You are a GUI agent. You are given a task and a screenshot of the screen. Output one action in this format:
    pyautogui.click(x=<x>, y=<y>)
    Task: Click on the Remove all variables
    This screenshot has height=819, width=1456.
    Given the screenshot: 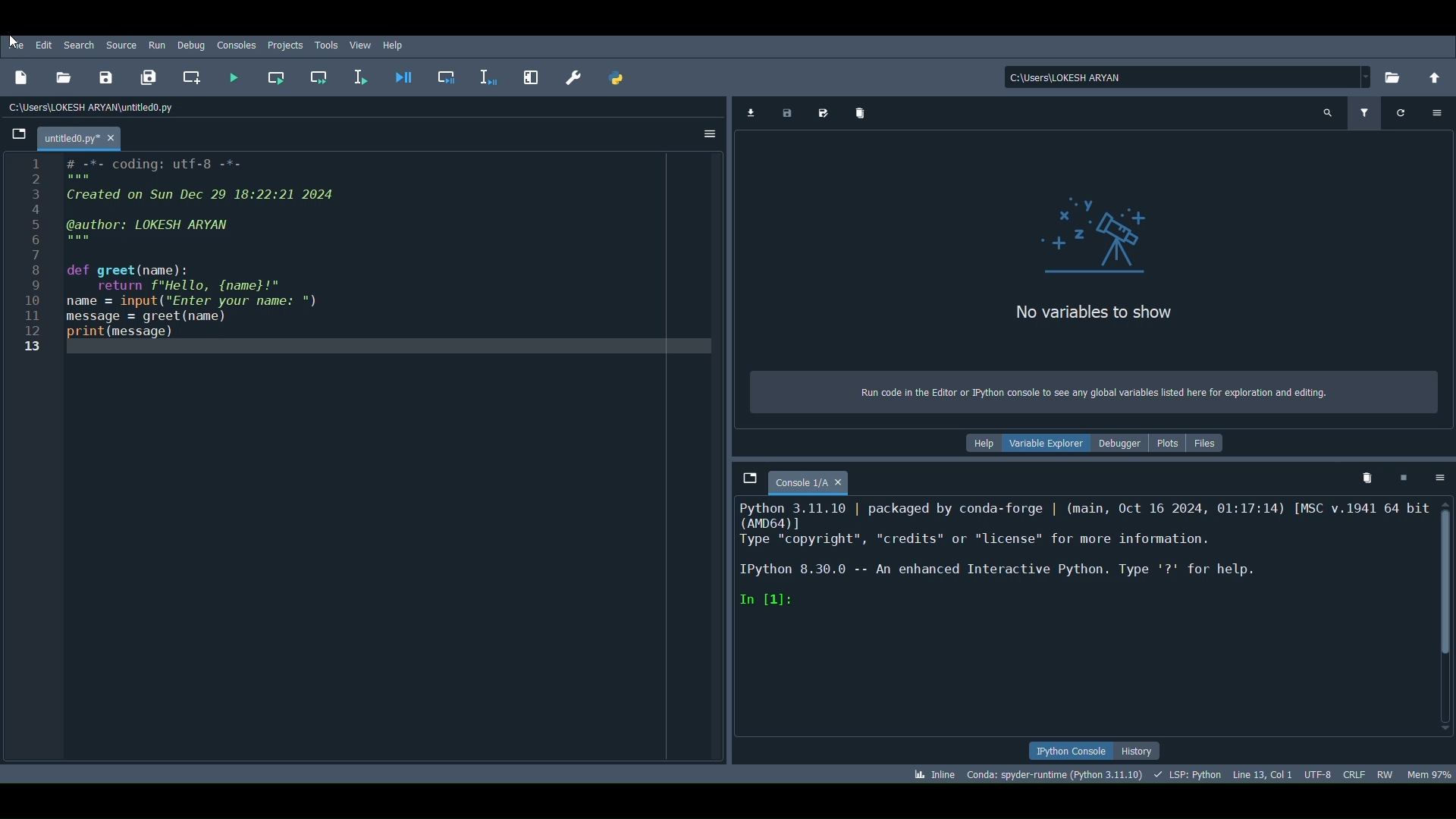 What is the action you would take?
    pyautogui.click(x=861, y=111)
    